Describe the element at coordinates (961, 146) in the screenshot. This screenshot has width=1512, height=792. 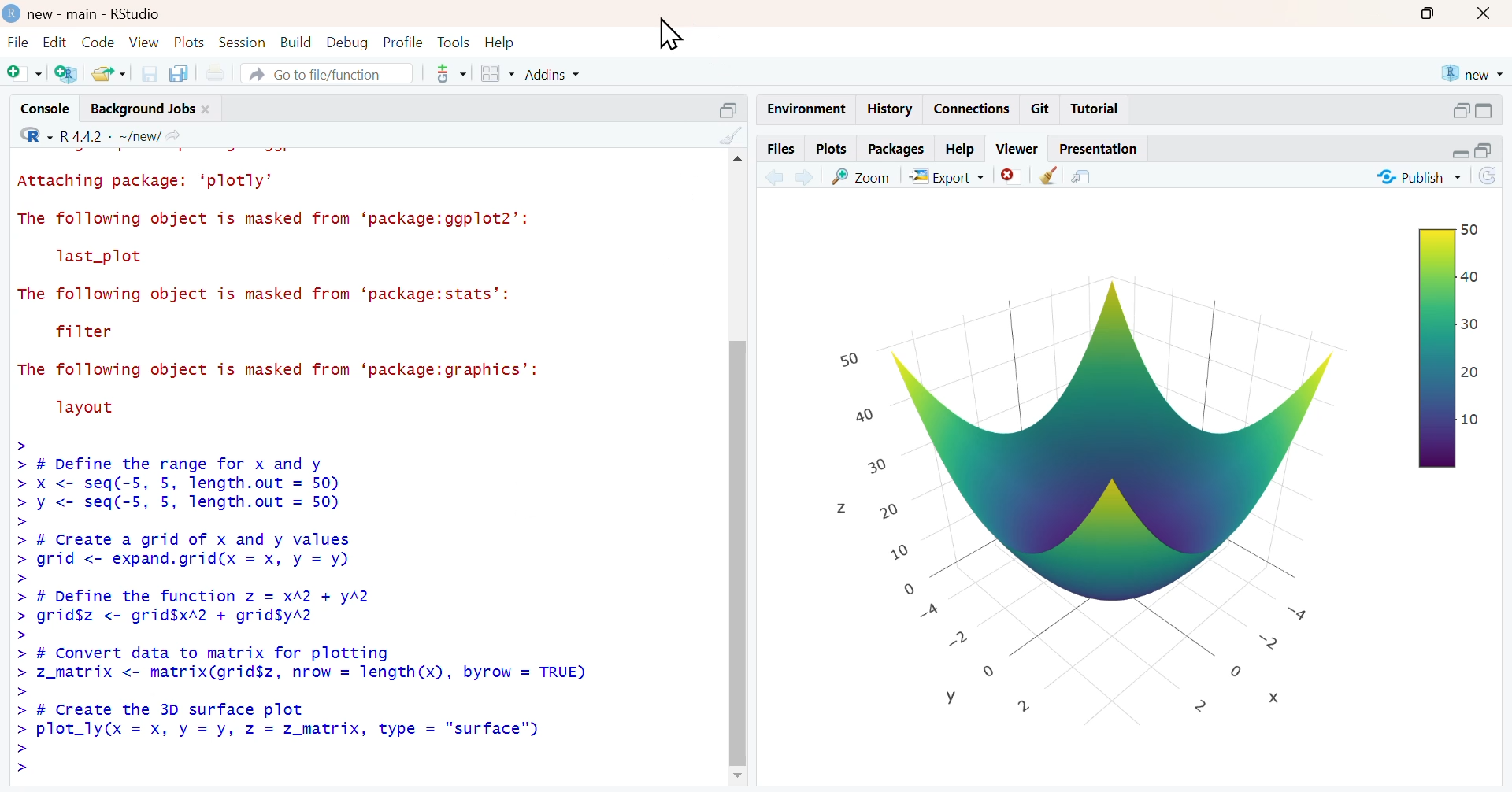
I see `help` at that location.